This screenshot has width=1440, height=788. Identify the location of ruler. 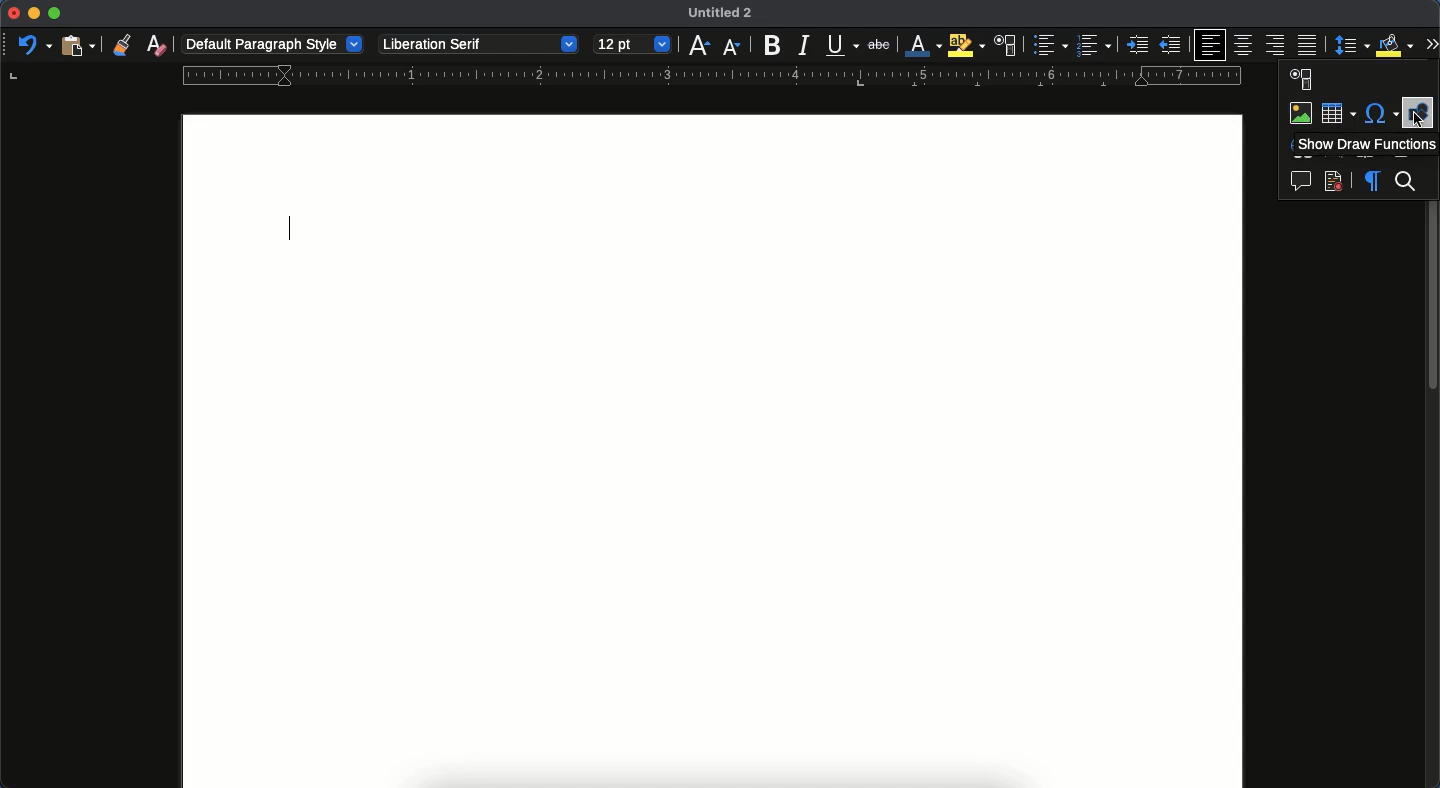
(707, 76).